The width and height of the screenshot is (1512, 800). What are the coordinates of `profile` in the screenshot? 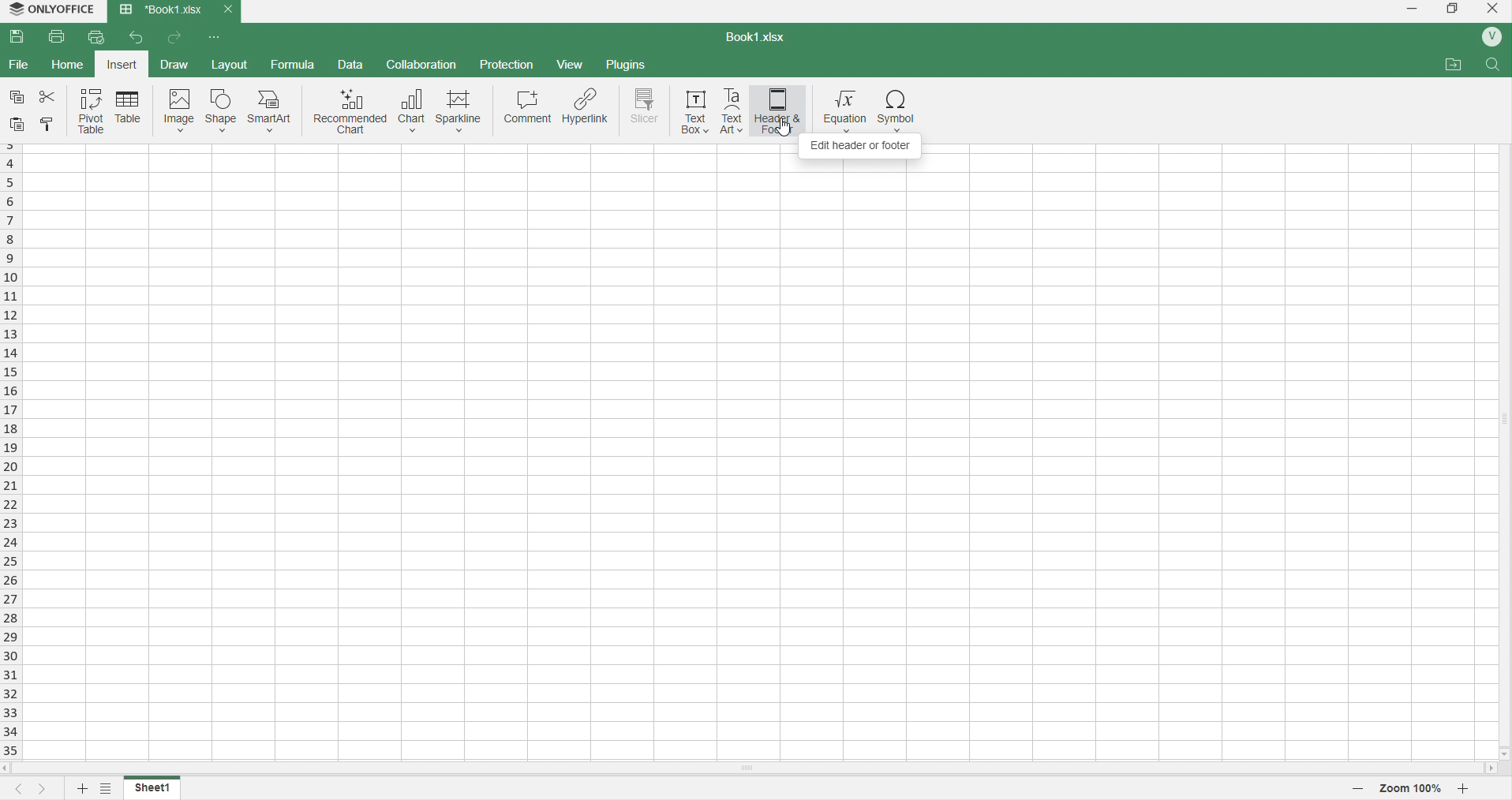 It's located at (1491, 38).